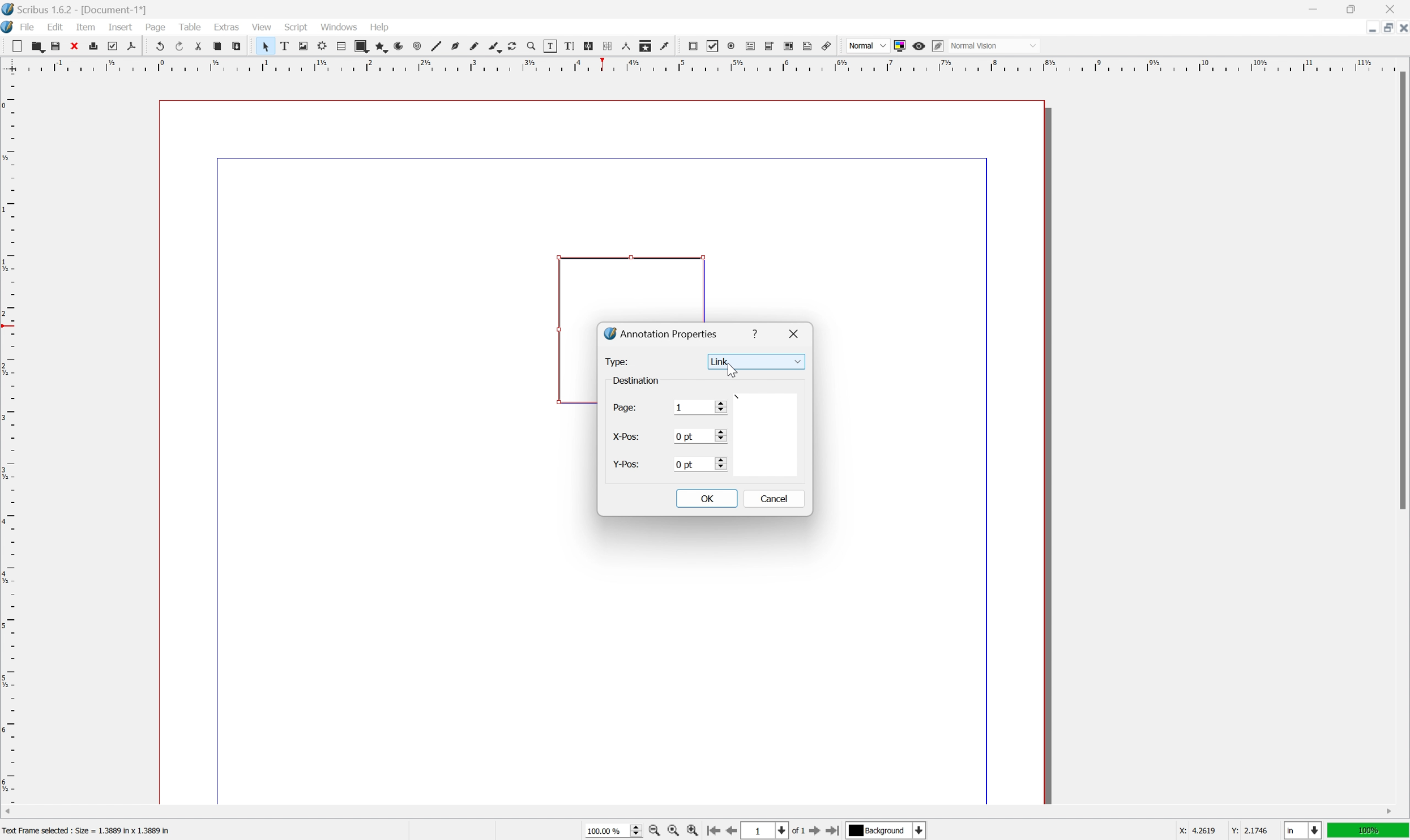 The height and width of the screenshot is (840, 1410). Describe the element at coordinates (1369, 831) in the screenshot. I see `100%` at that location.